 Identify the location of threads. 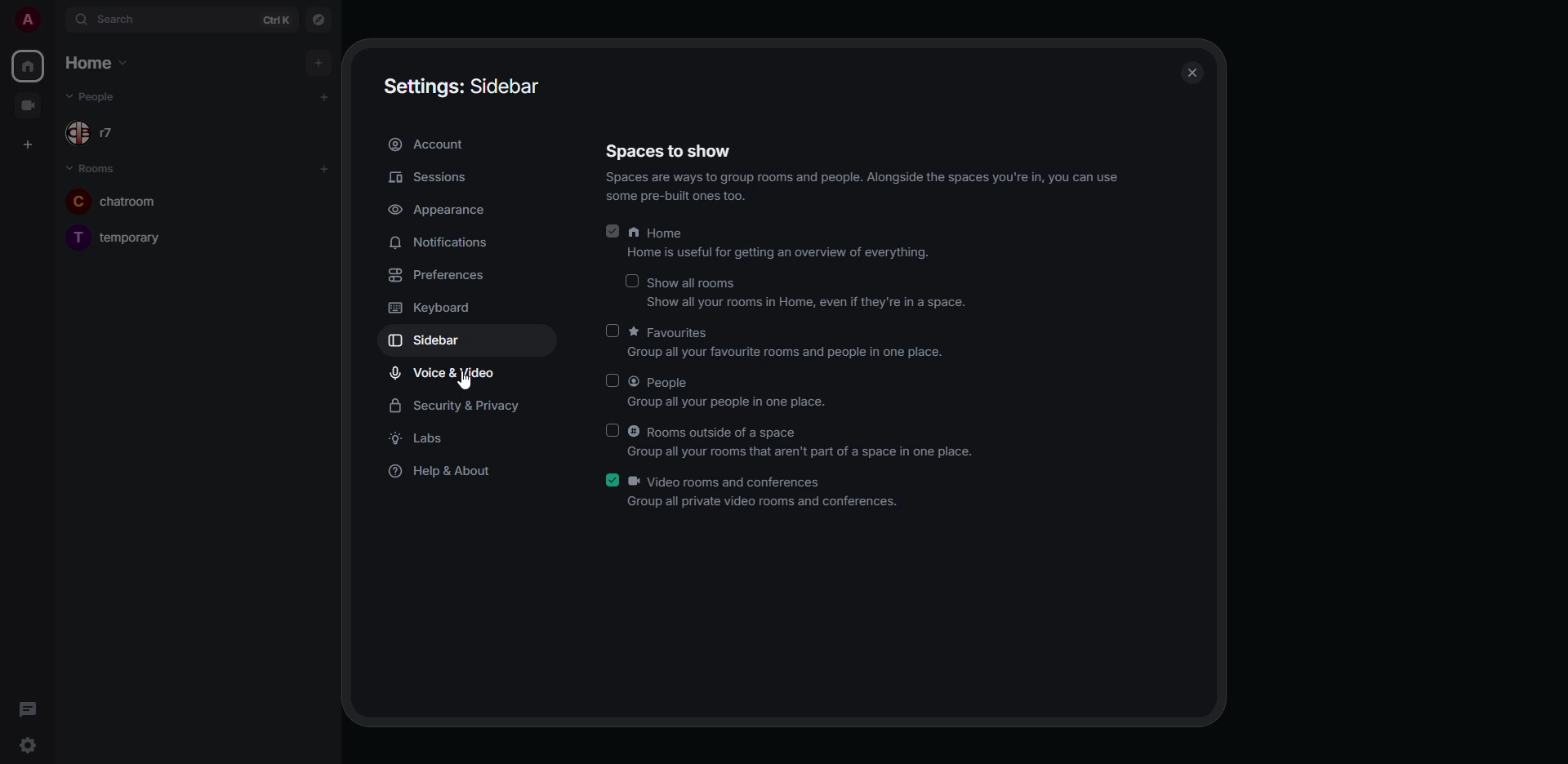
(31, 708).